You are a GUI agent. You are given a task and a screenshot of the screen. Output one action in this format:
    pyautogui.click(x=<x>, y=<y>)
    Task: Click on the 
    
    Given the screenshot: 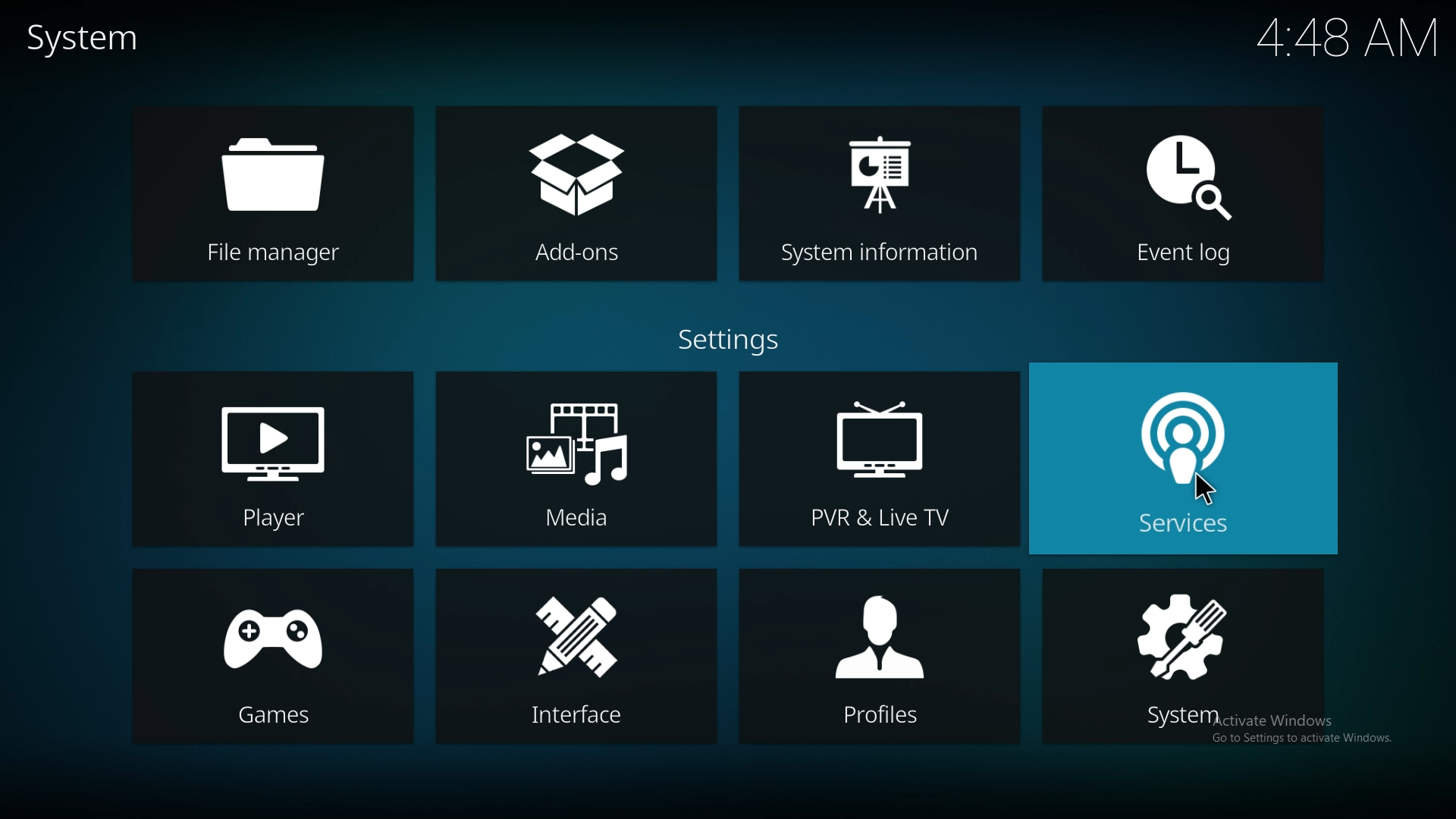 What is the action you would take?
    pyautogui.click(x=1207, y=490)
    